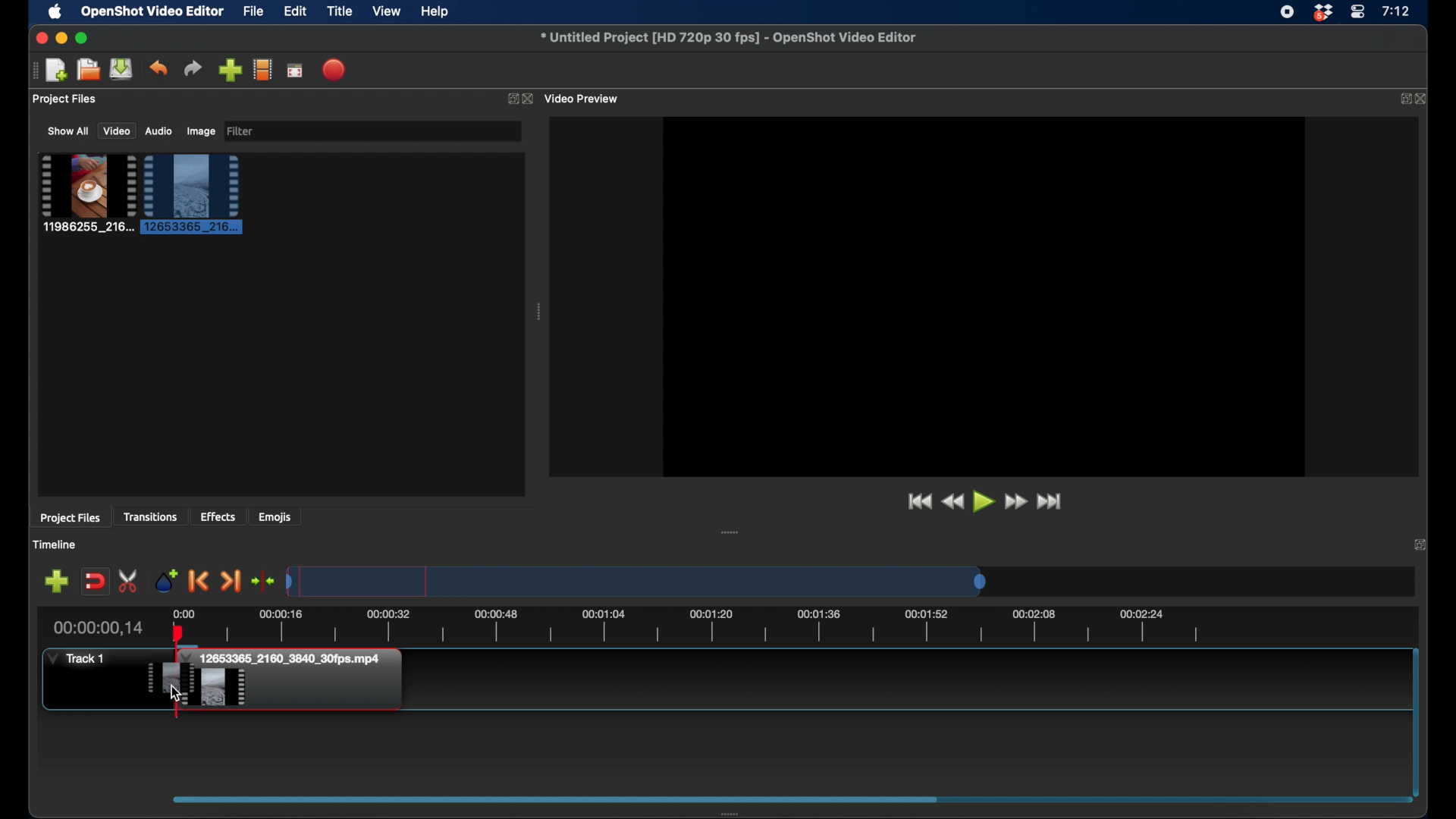  Describe the element at coordinates (264, 580) in the screenshot. I see `center the playhead on timeline` at that location.